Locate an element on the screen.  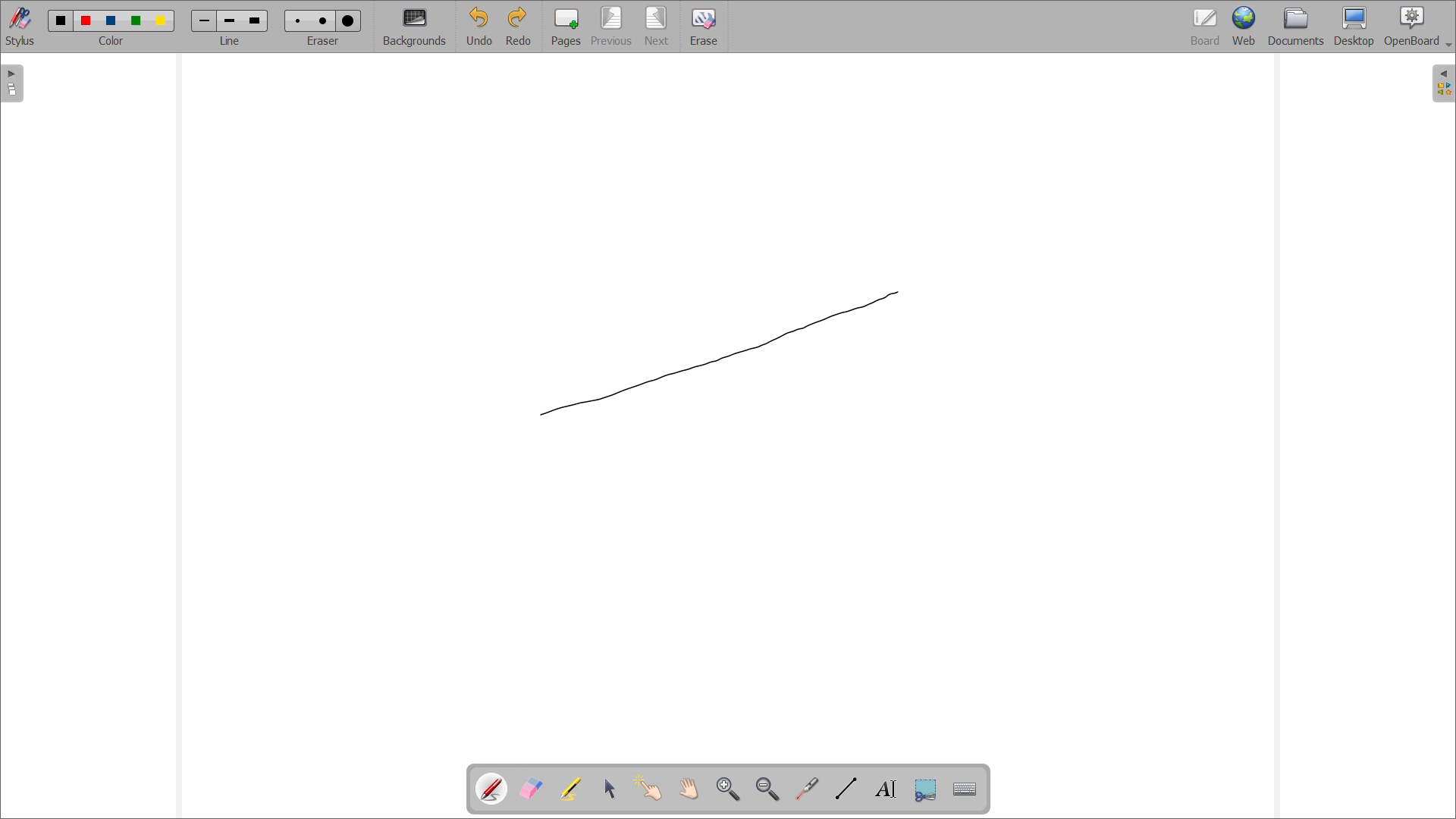
virtual laser pointer is located at coordinates (808, 787).